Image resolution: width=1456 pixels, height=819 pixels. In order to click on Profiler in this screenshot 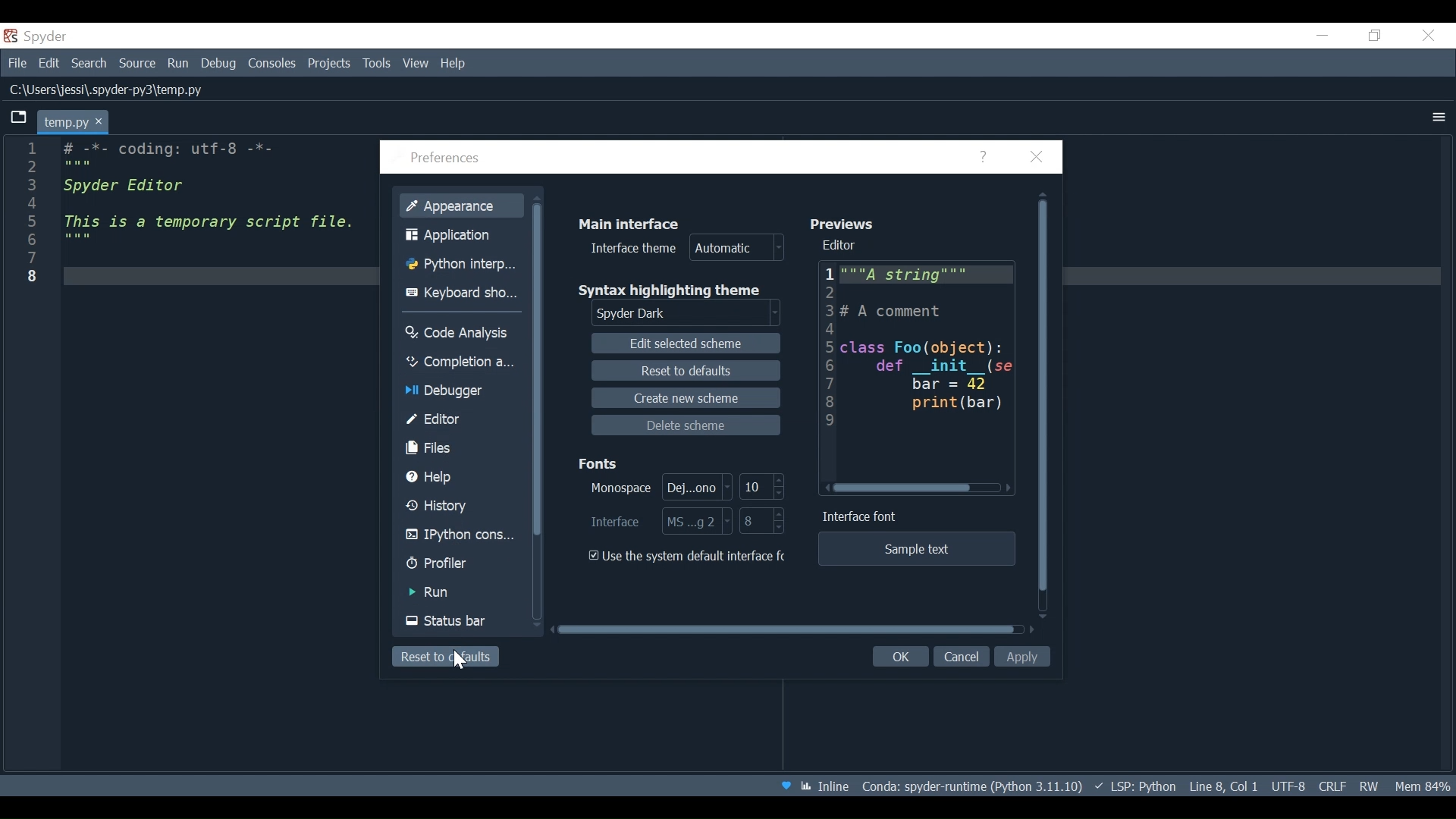, I will do `click(460, 565)`.